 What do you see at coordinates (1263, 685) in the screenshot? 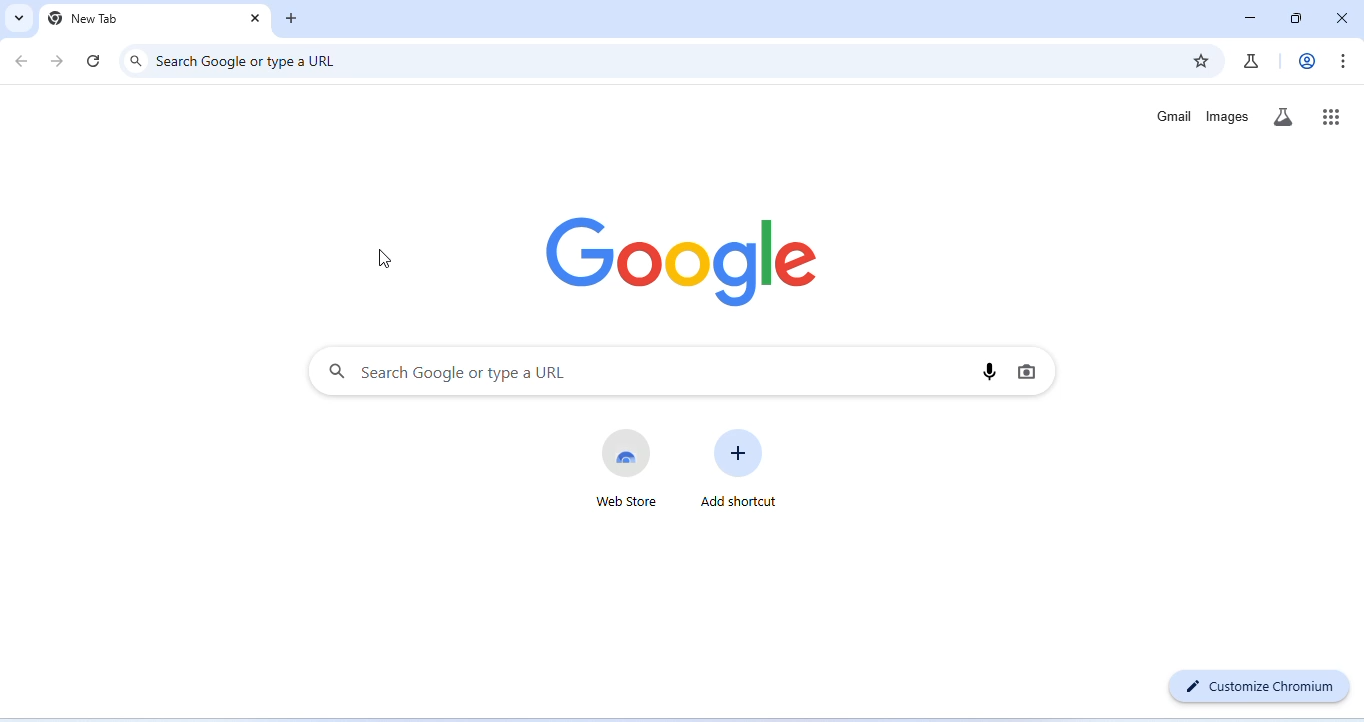
I see `customize chromium` at bounding box center [1263, 685].